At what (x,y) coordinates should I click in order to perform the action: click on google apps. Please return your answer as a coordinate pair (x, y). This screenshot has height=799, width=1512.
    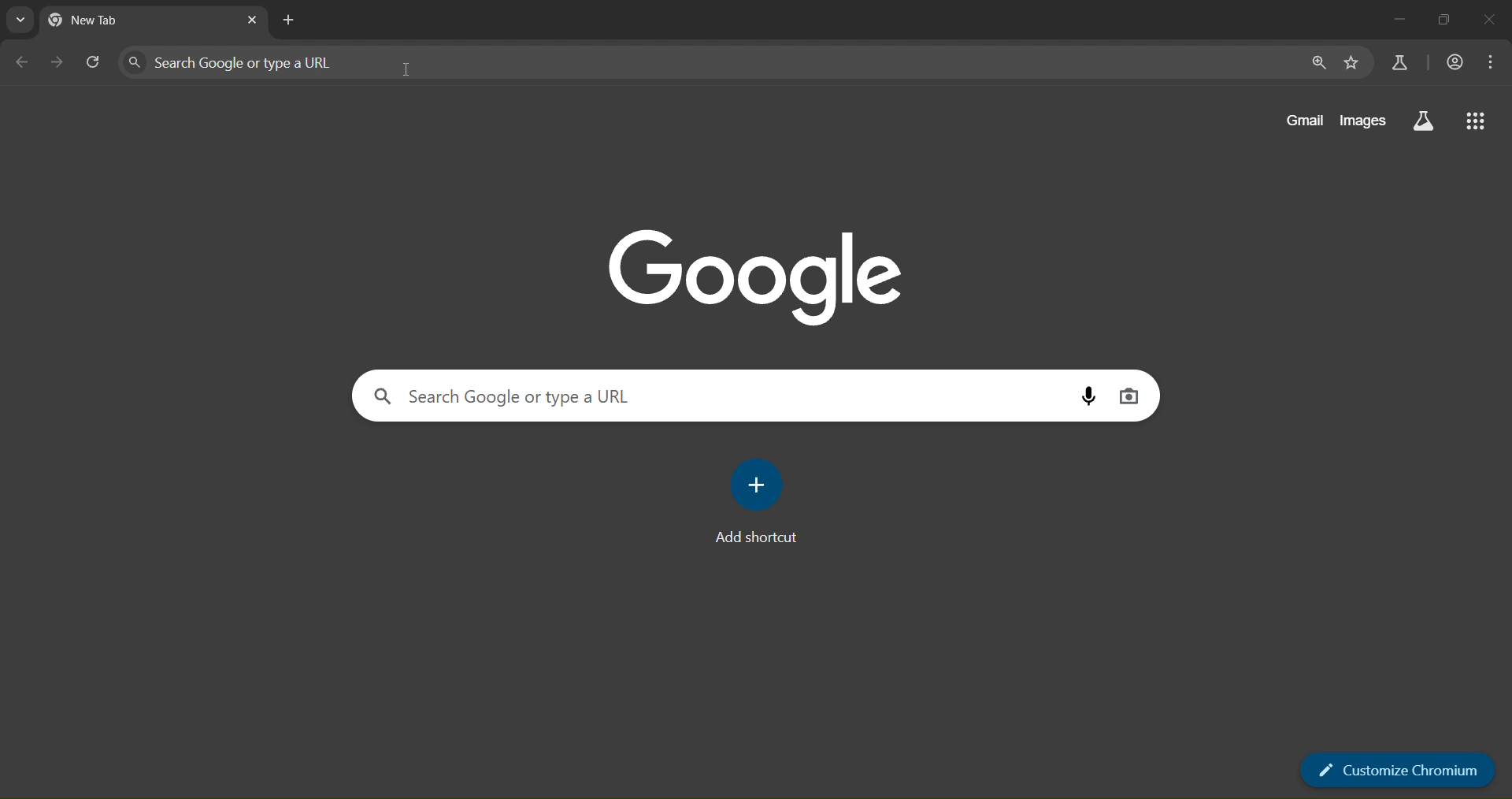
    Looking at the image, I should click on (1477, 120).